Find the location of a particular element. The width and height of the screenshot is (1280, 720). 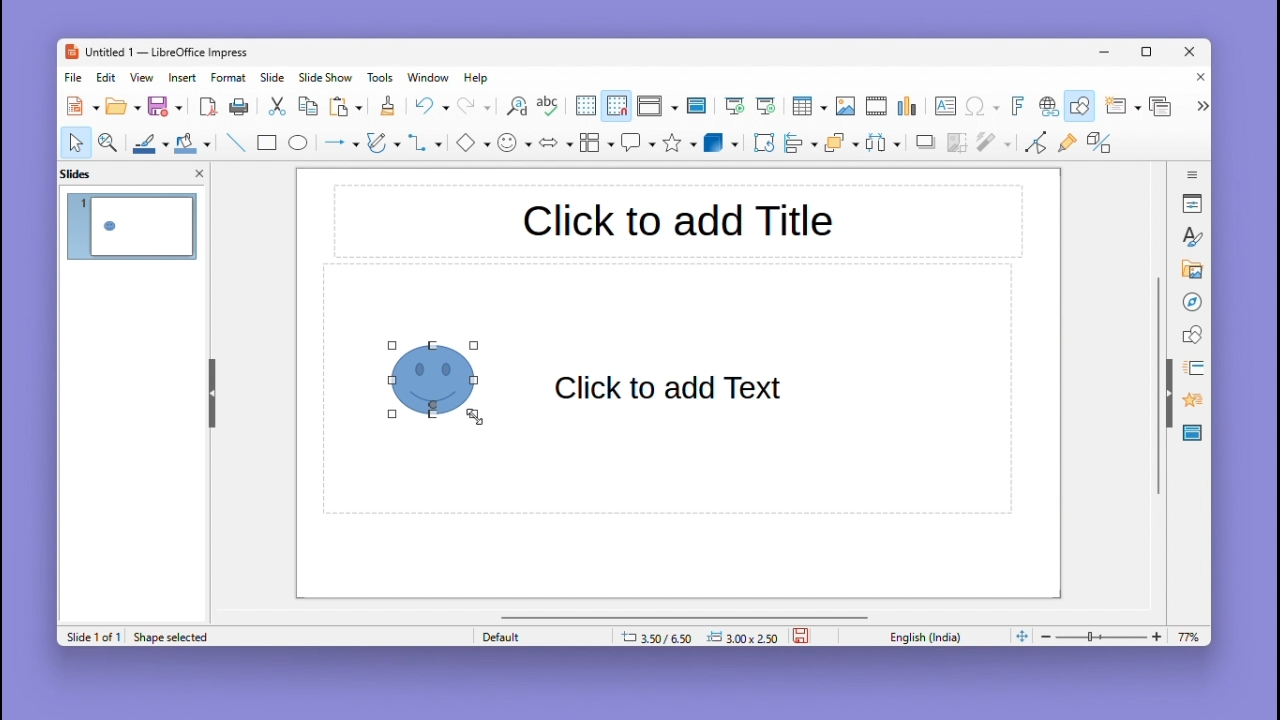

snap to grid is located at coordinates (616, 106).